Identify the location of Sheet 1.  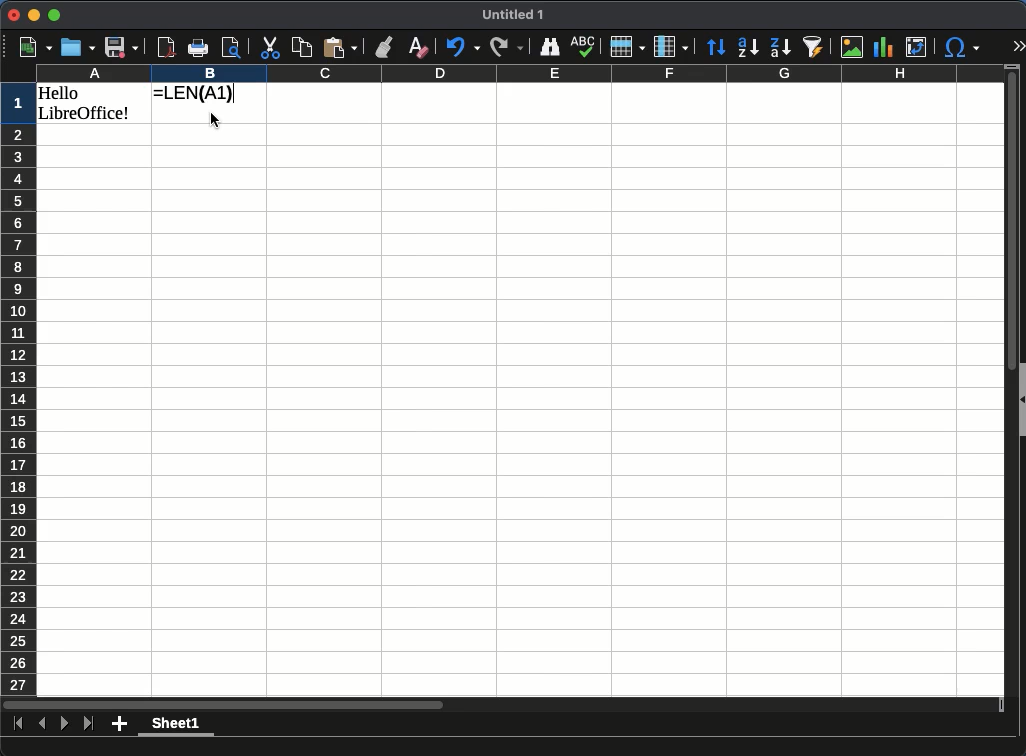
(176, 726).